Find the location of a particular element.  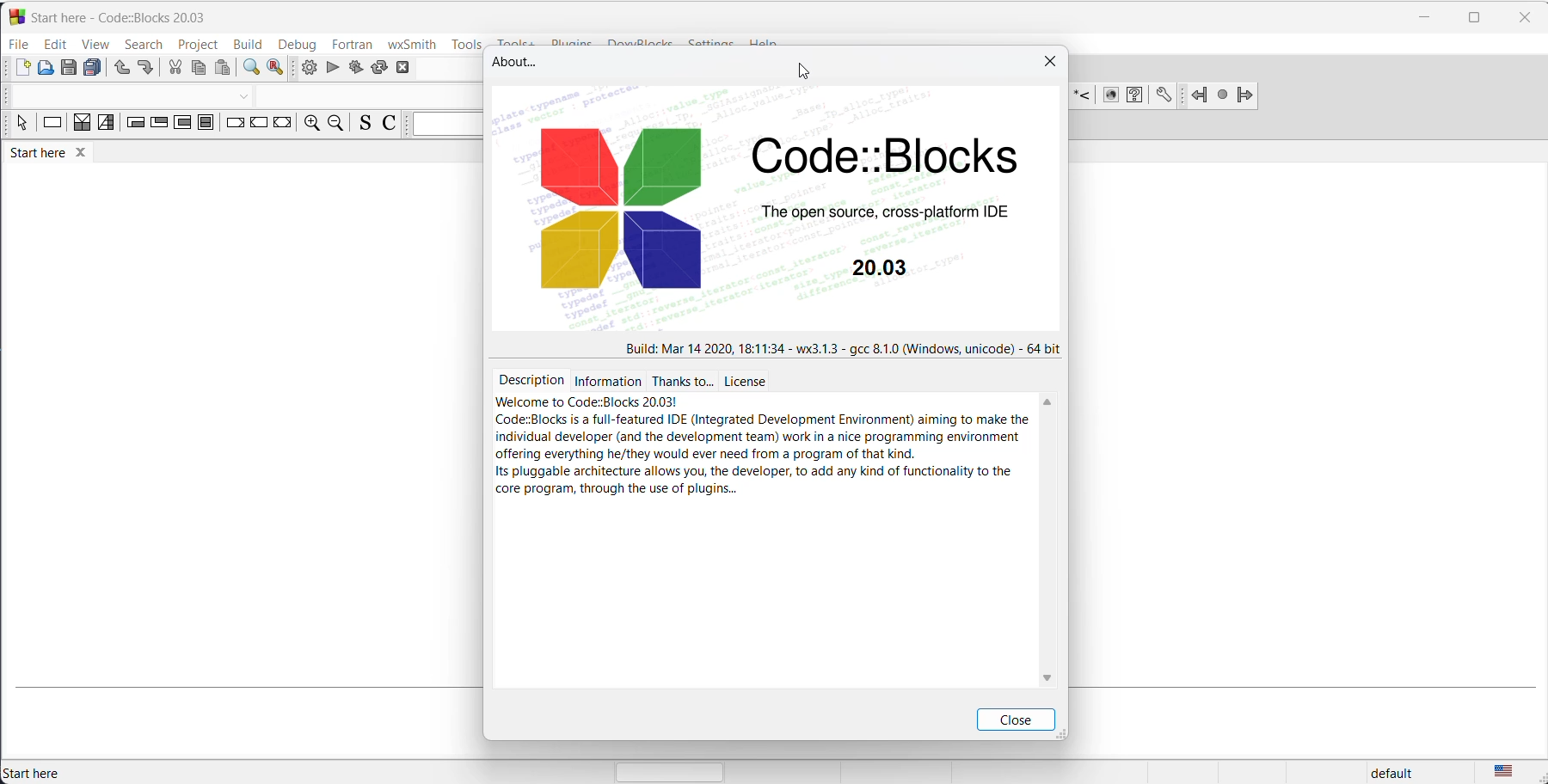

project is located at coordinates (199, 44).